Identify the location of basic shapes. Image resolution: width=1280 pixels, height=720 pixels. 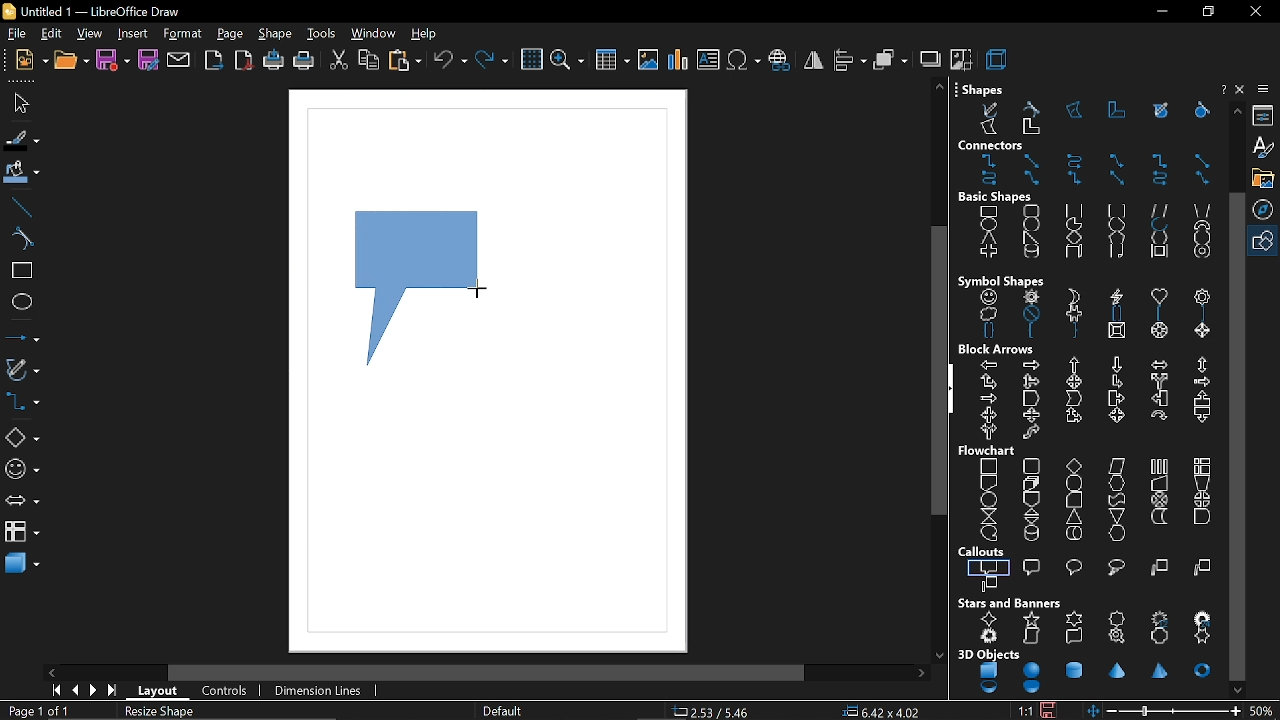
(997, 197).